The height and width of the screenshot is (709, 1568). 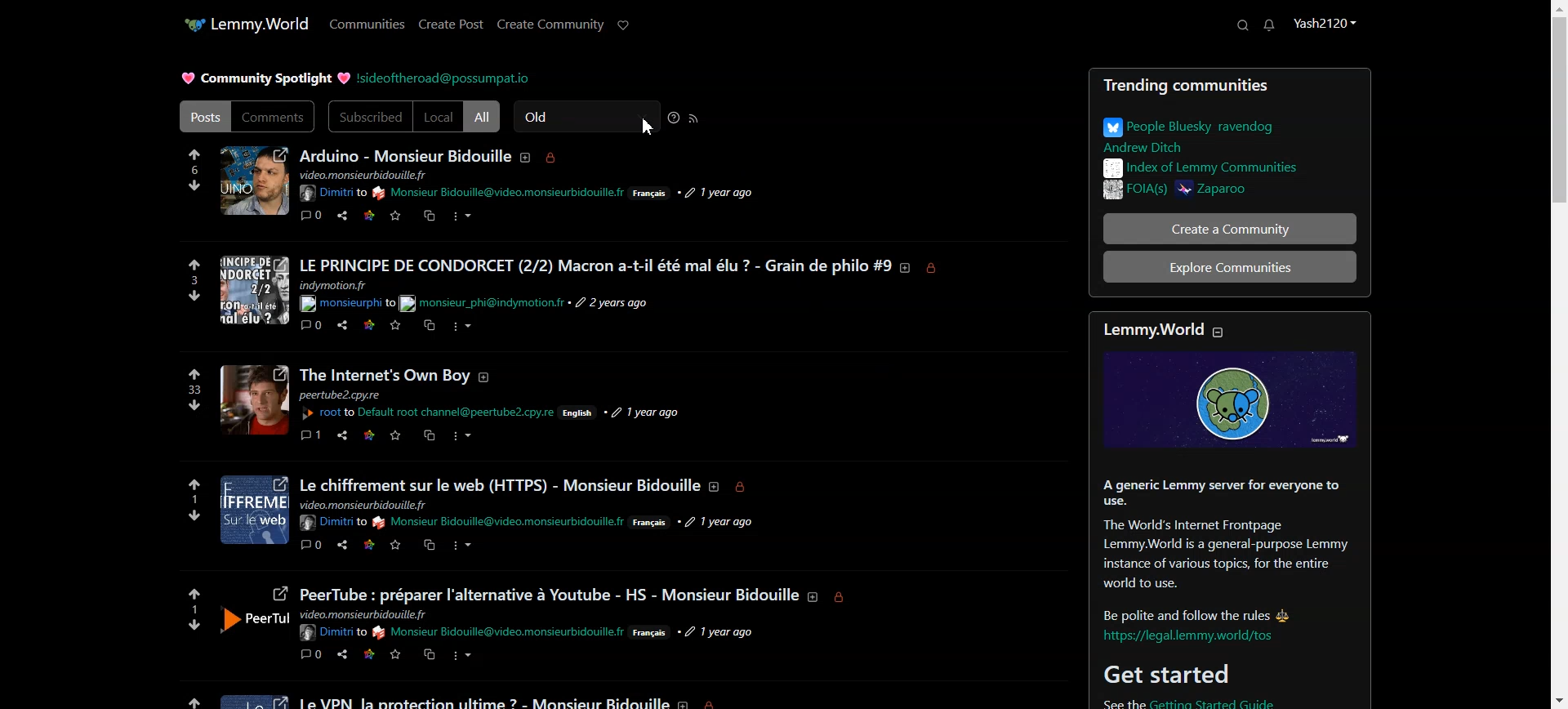 I want to click on Image, so click(x=254, y=698).